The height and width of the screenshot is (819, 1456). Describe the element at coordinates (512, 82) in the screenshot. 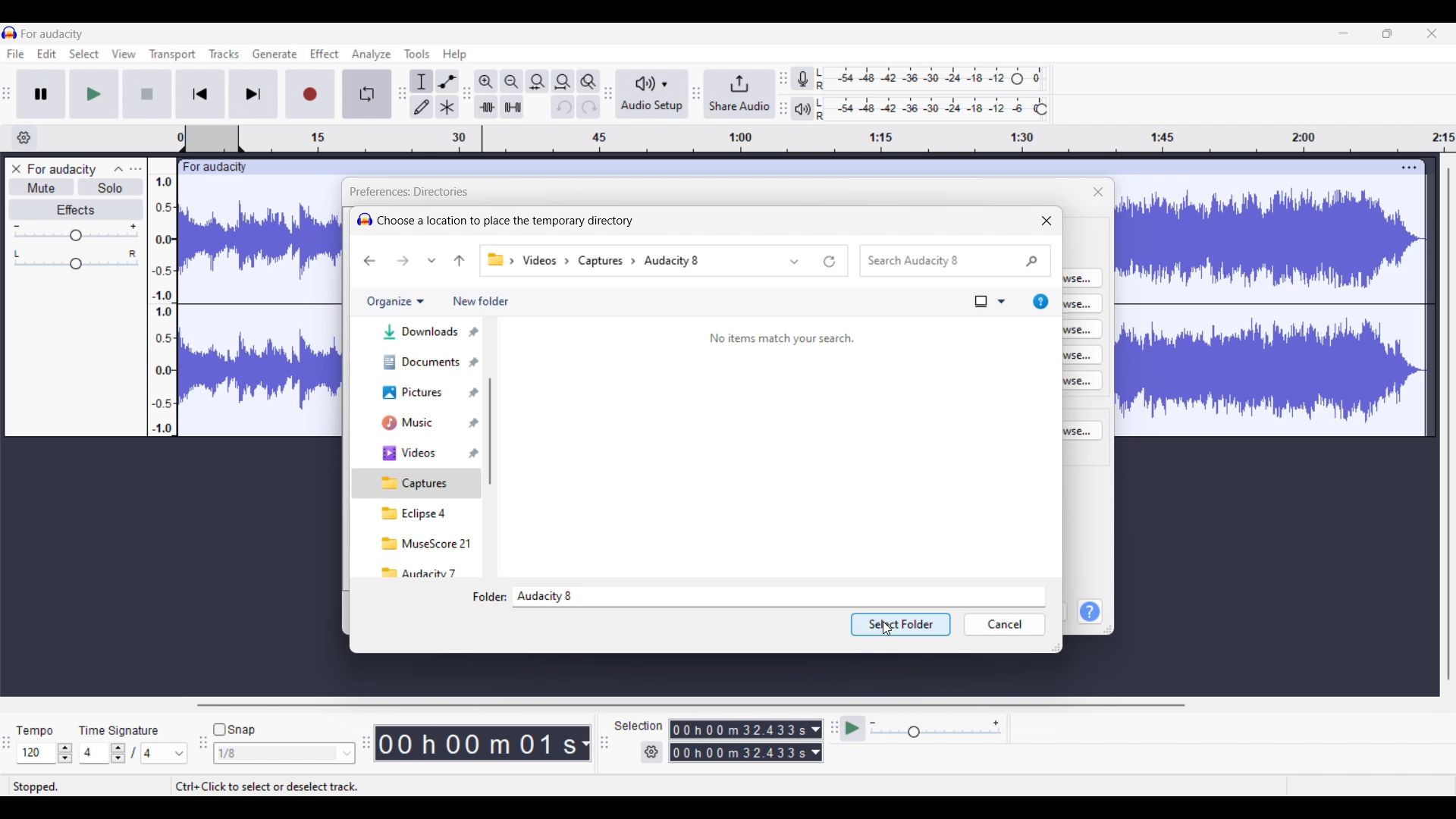

I see `Zoom out` at that location.